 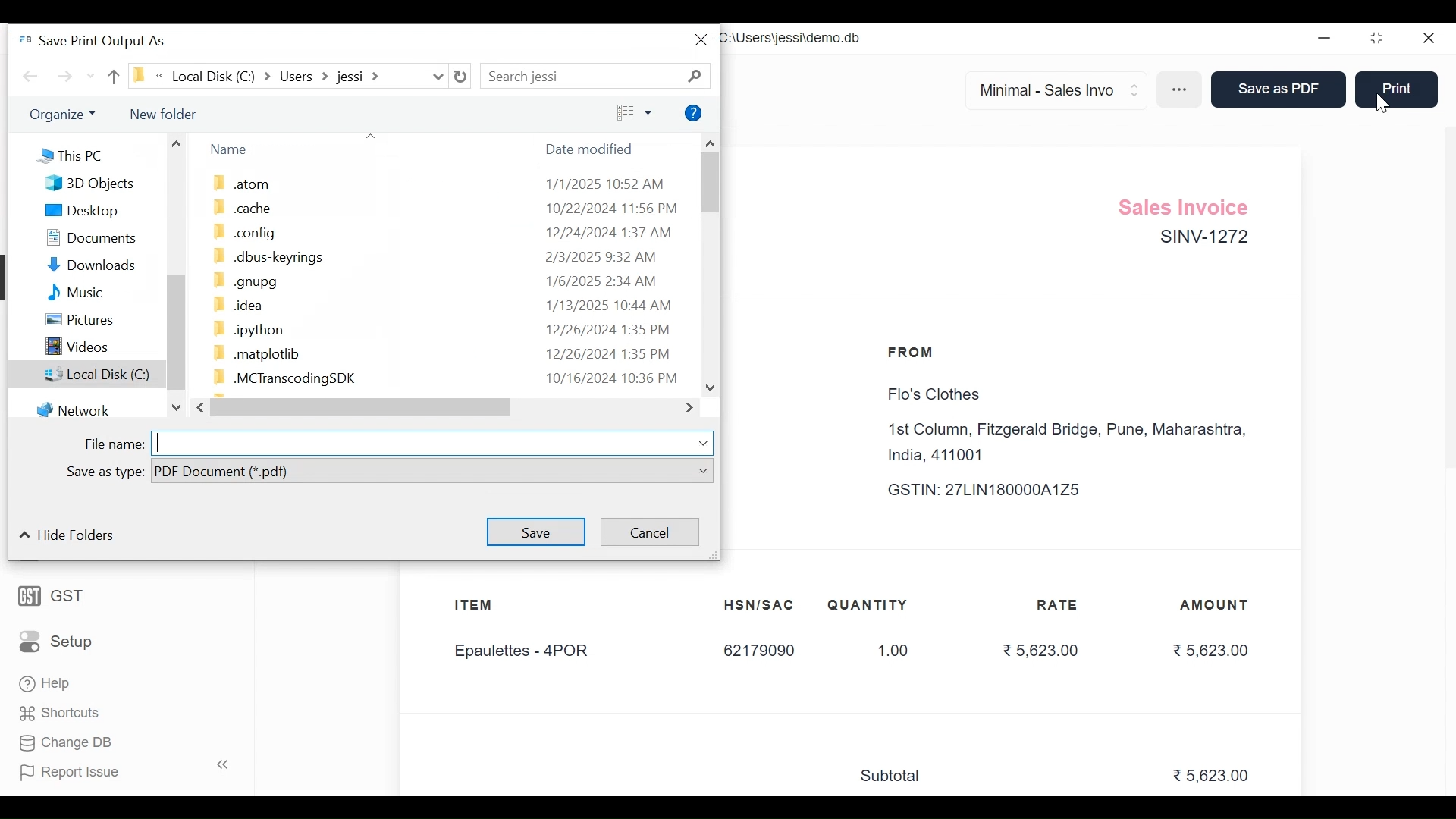 I want to click on AMOUNT, so click(x=1216, y=606).